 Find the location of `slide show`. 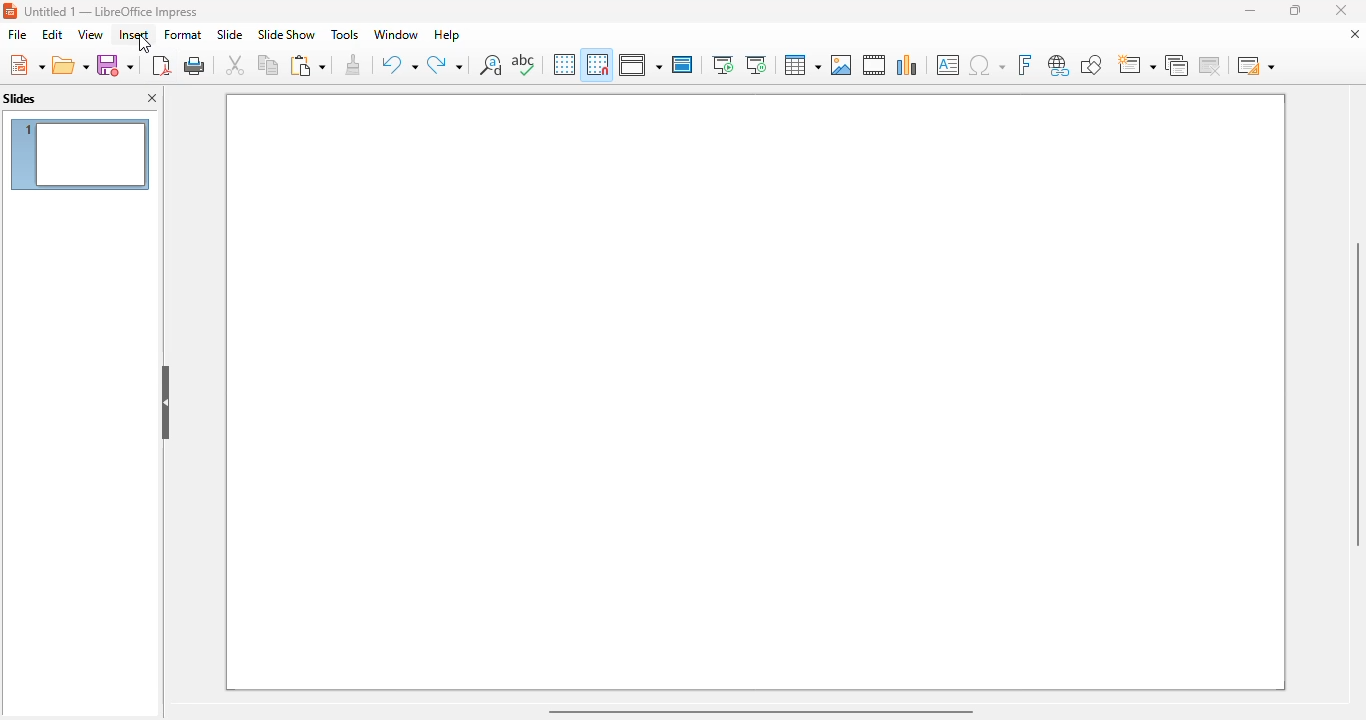

slide show is located at coordinates (286, 35).